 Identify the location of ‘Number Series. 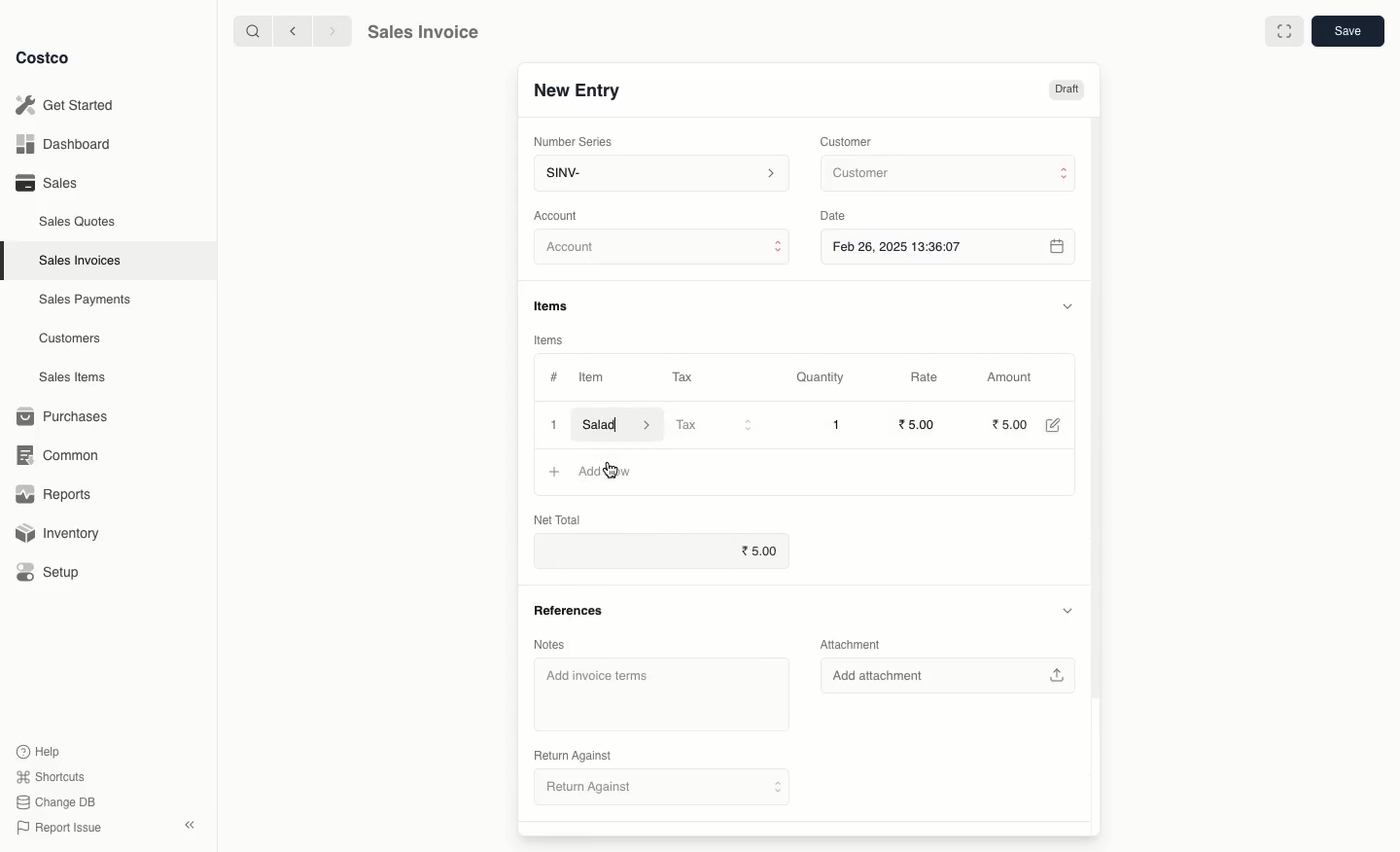
(570, 142).